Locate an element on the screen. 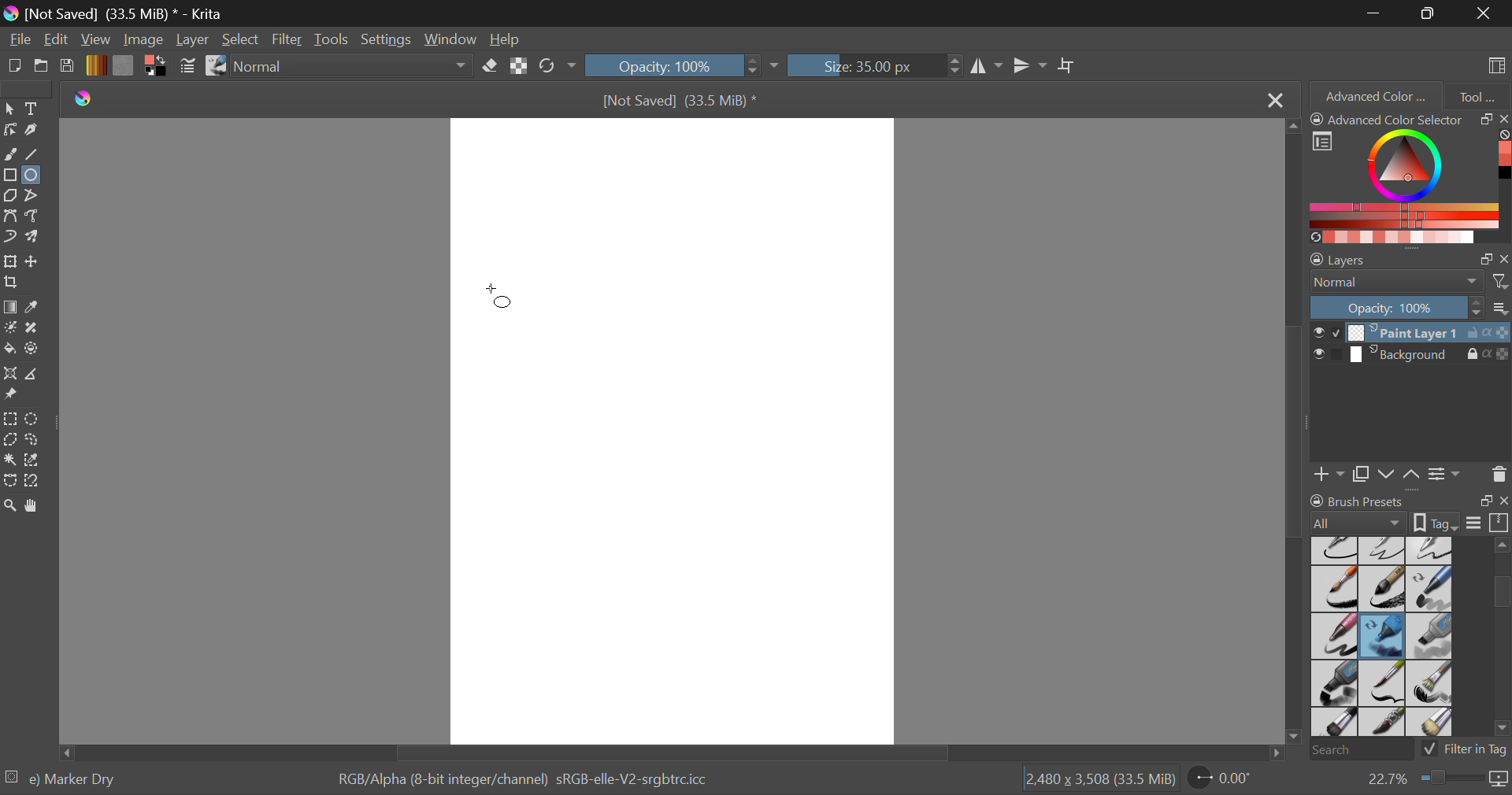 The width and height of the screenshot is (1512, 795). Reference Images is located at coordinates (13, 395).